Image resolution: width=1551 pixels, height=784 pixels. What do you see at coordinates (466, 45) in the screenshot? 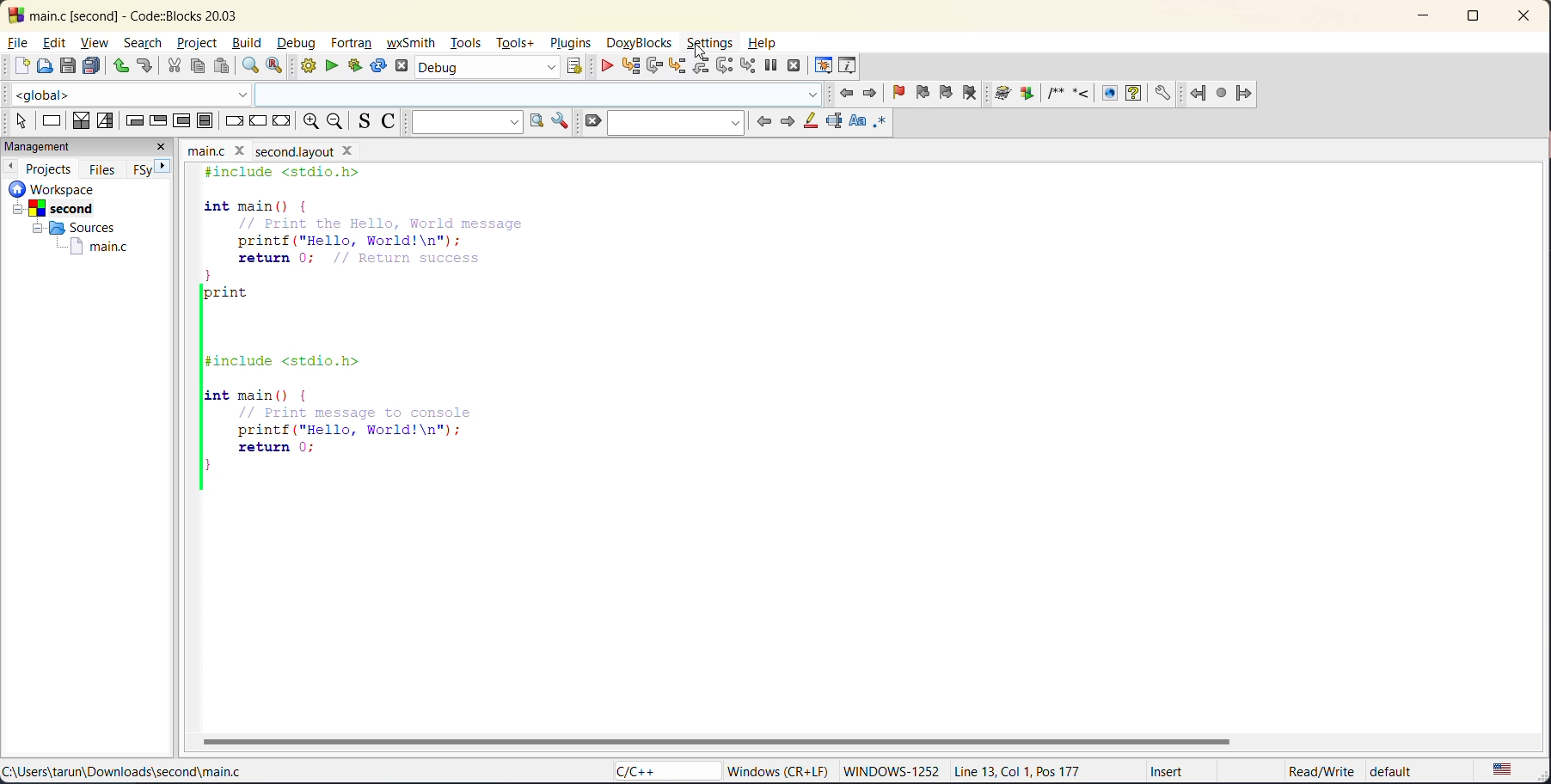
I see `tools` at bounding box center [466, 45].